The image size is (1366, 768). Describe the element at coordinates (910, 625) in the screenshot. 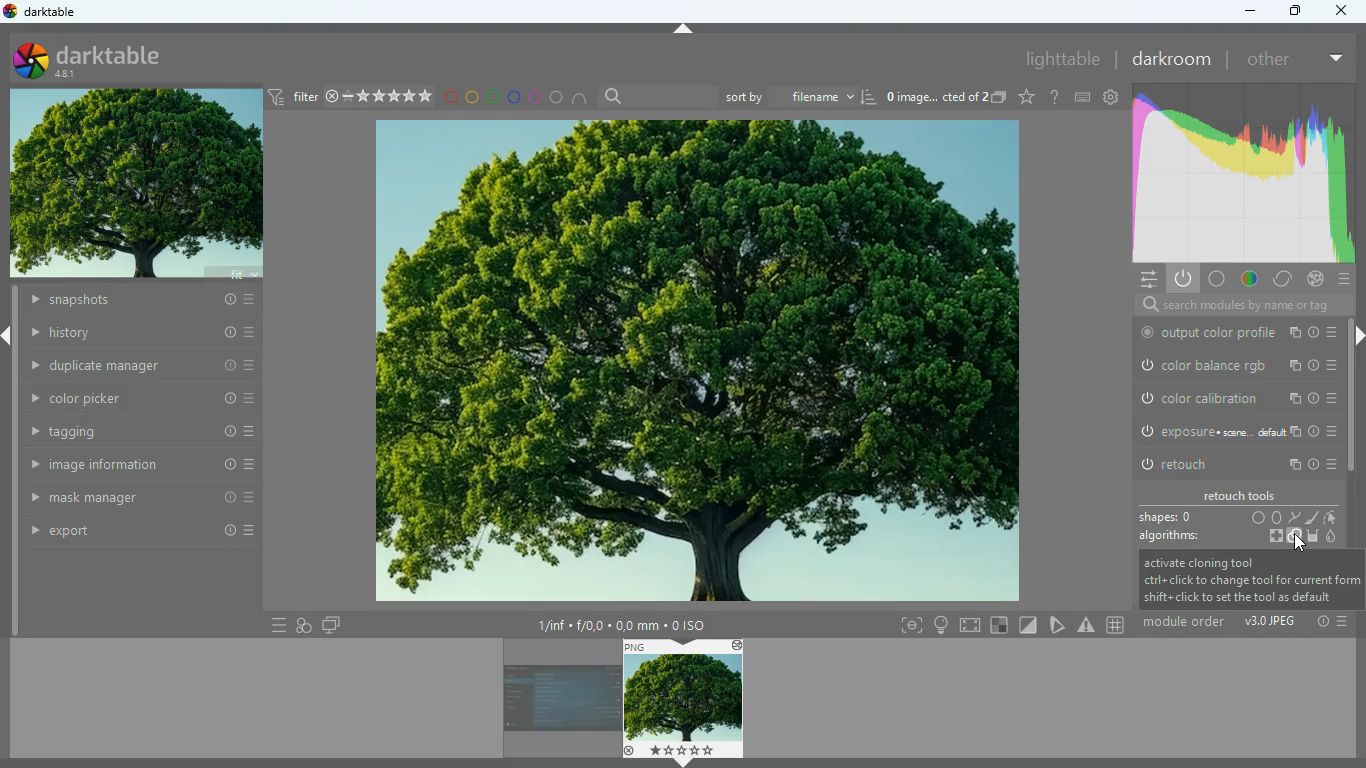

I see `frame` at that location.